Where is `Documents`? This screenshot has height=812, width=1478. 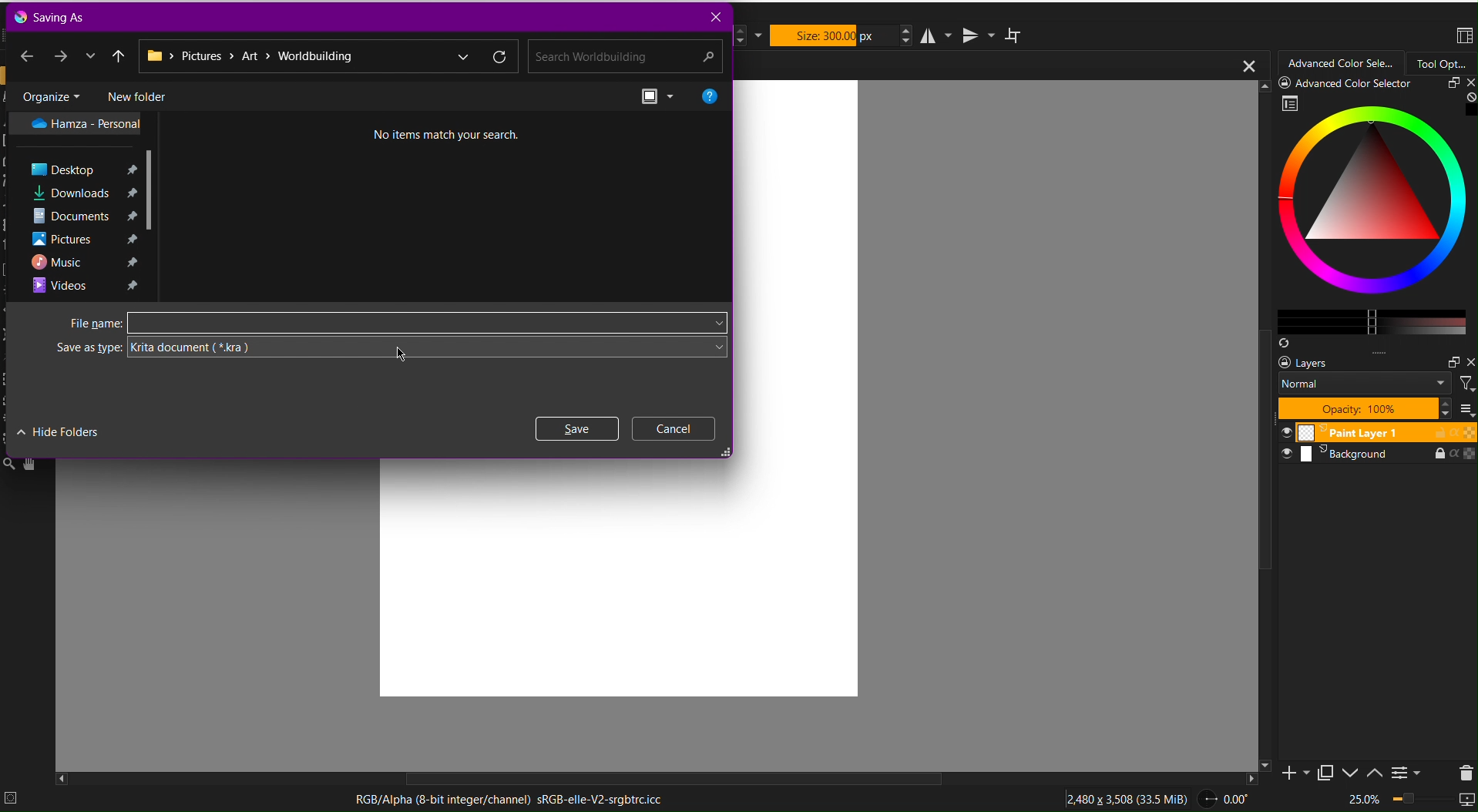 Documents is located at coordinates (71, 216).